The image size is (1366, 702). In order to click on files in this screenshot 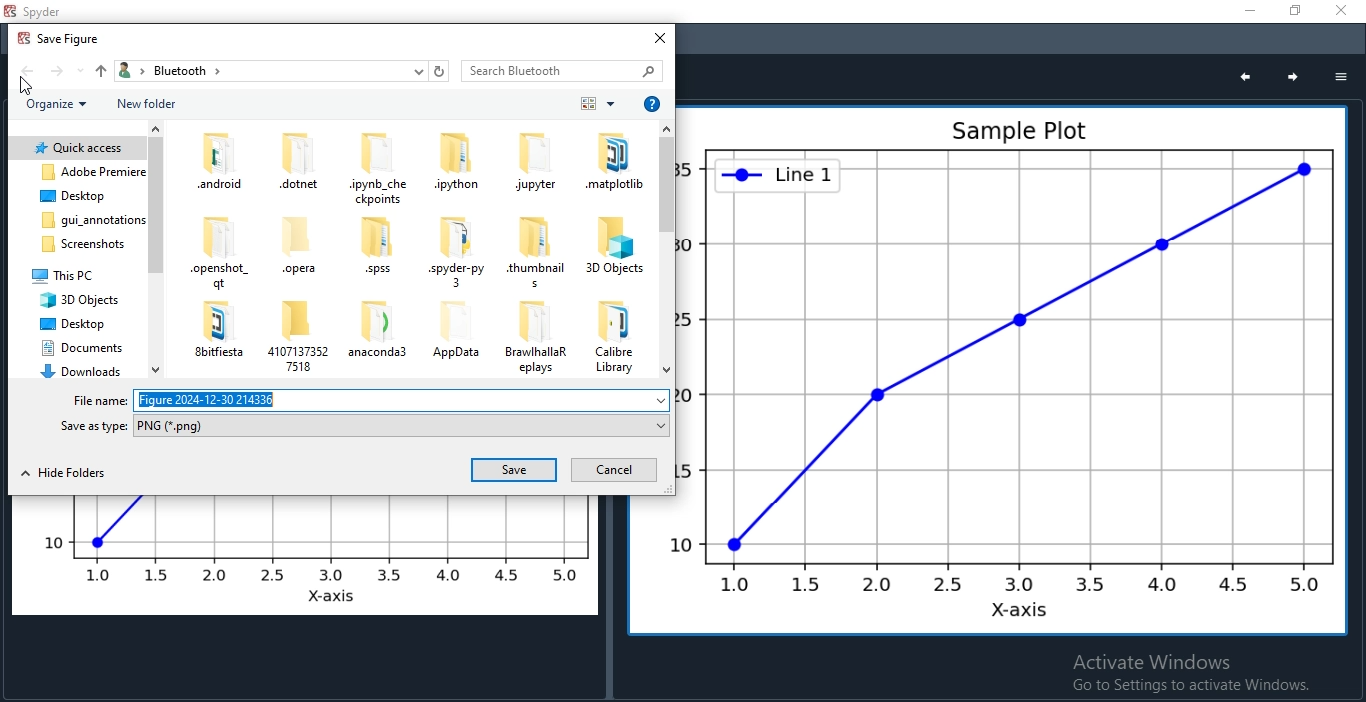, I will do `click(457, 329)`.